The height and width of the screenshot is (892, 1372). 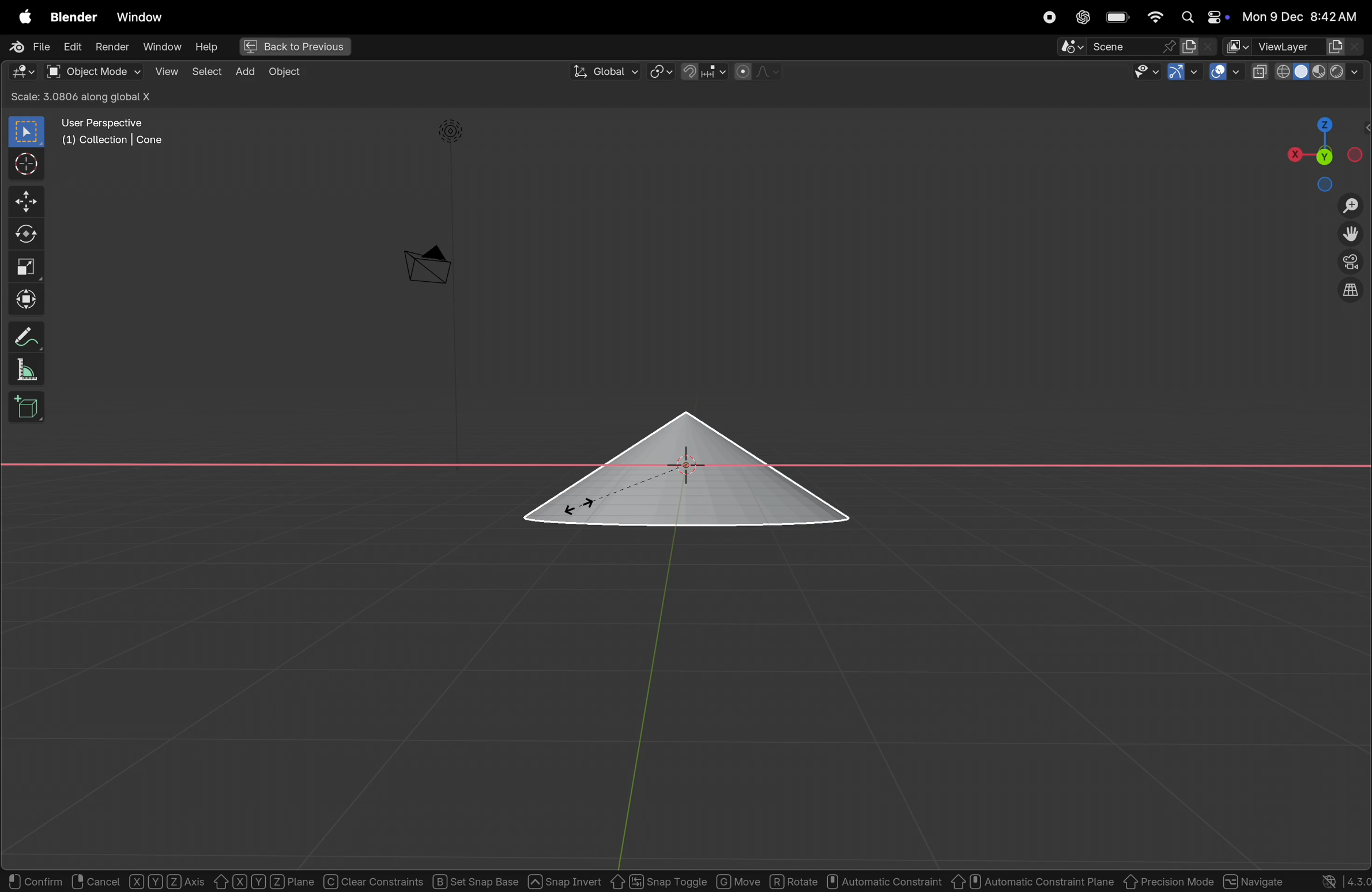 I want to click on view layer, so click(x=1296, y=44).